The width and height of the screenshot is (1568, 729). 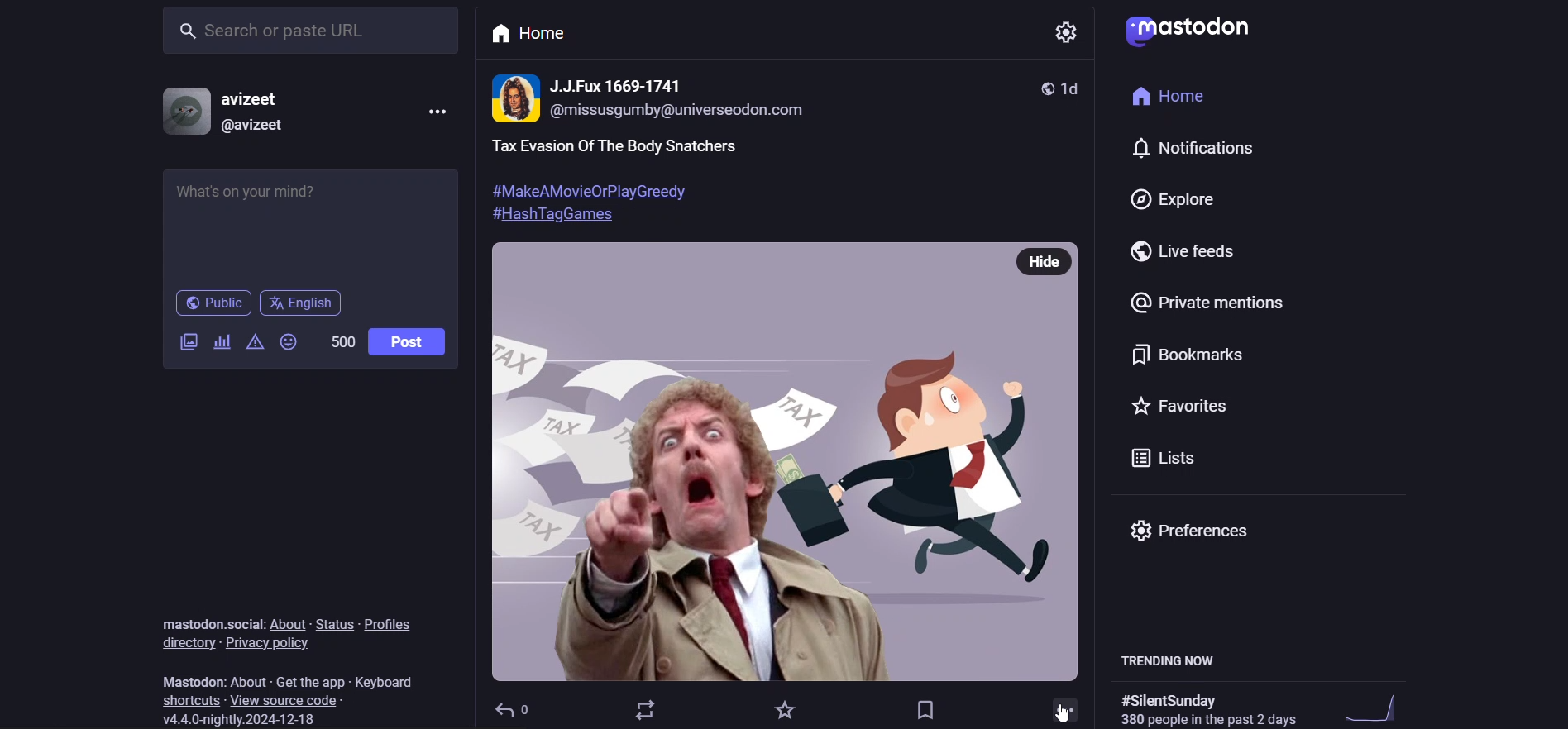 I want to click on explore, so click(x=1171, y=193).